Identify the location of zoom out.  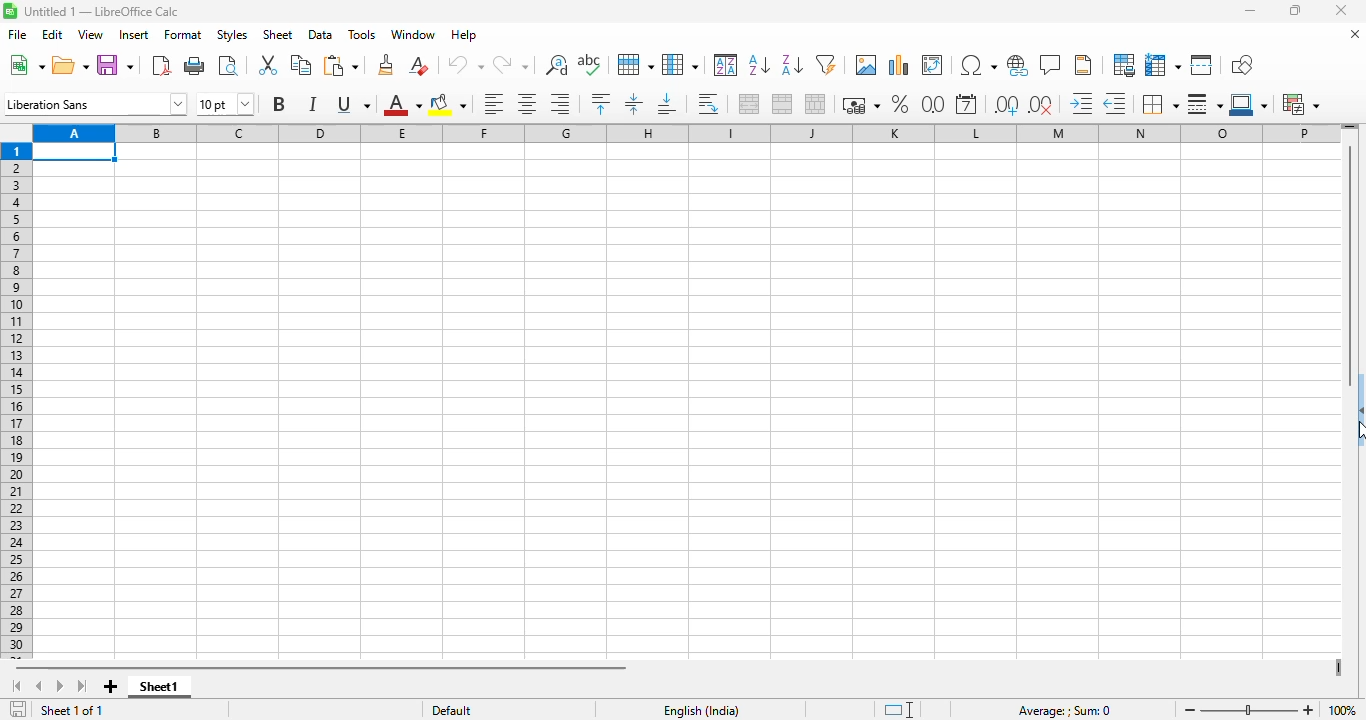
(1190, 710).